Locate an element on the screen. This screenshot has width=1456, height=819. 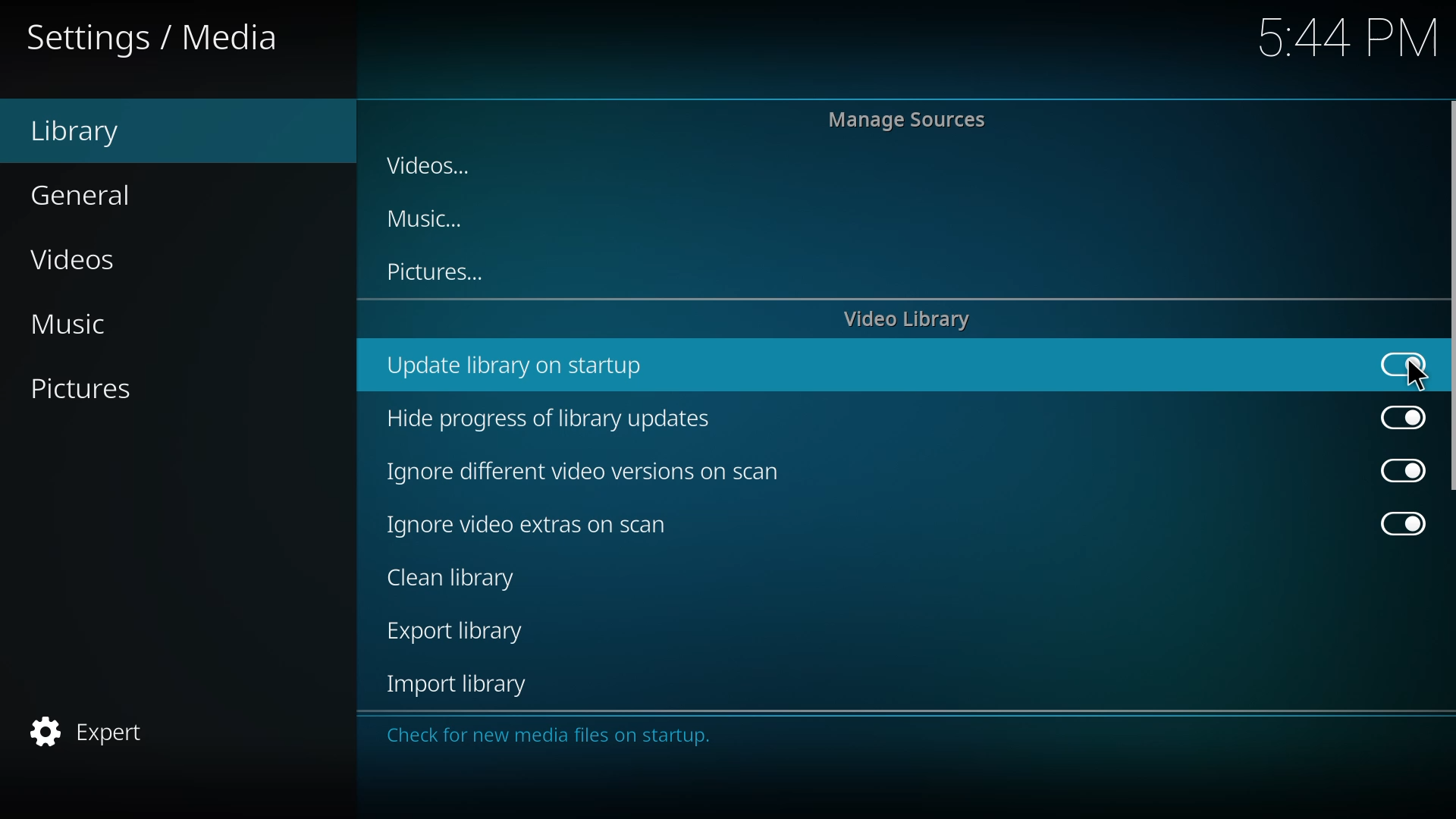
music is located at coordinates (83, 326).